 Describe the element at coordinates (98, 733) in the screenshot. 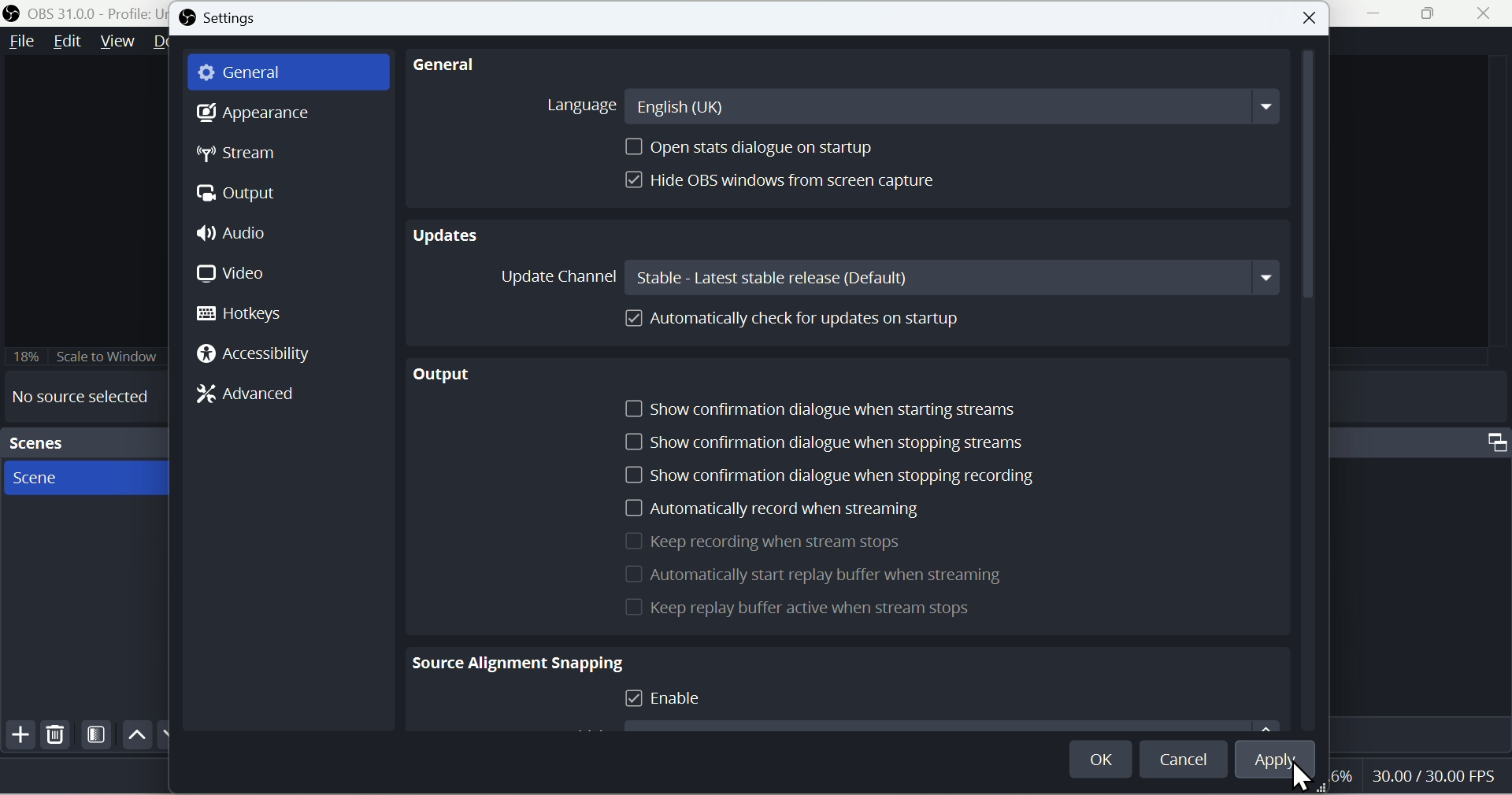

I see `Scene Filters` at that location.